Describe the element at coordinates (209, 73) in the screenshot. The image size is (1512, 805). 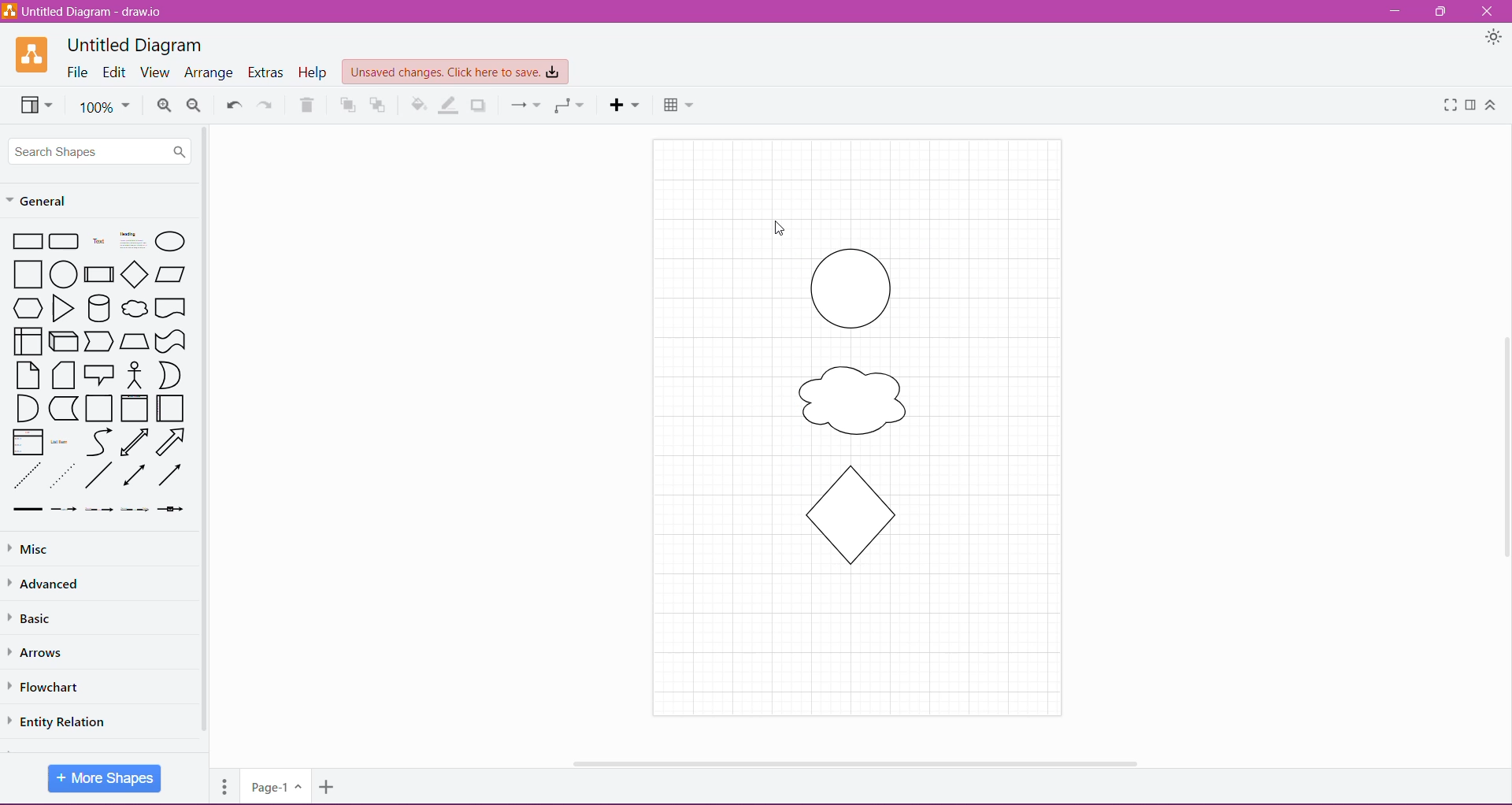
I see `Arrange` at that location.